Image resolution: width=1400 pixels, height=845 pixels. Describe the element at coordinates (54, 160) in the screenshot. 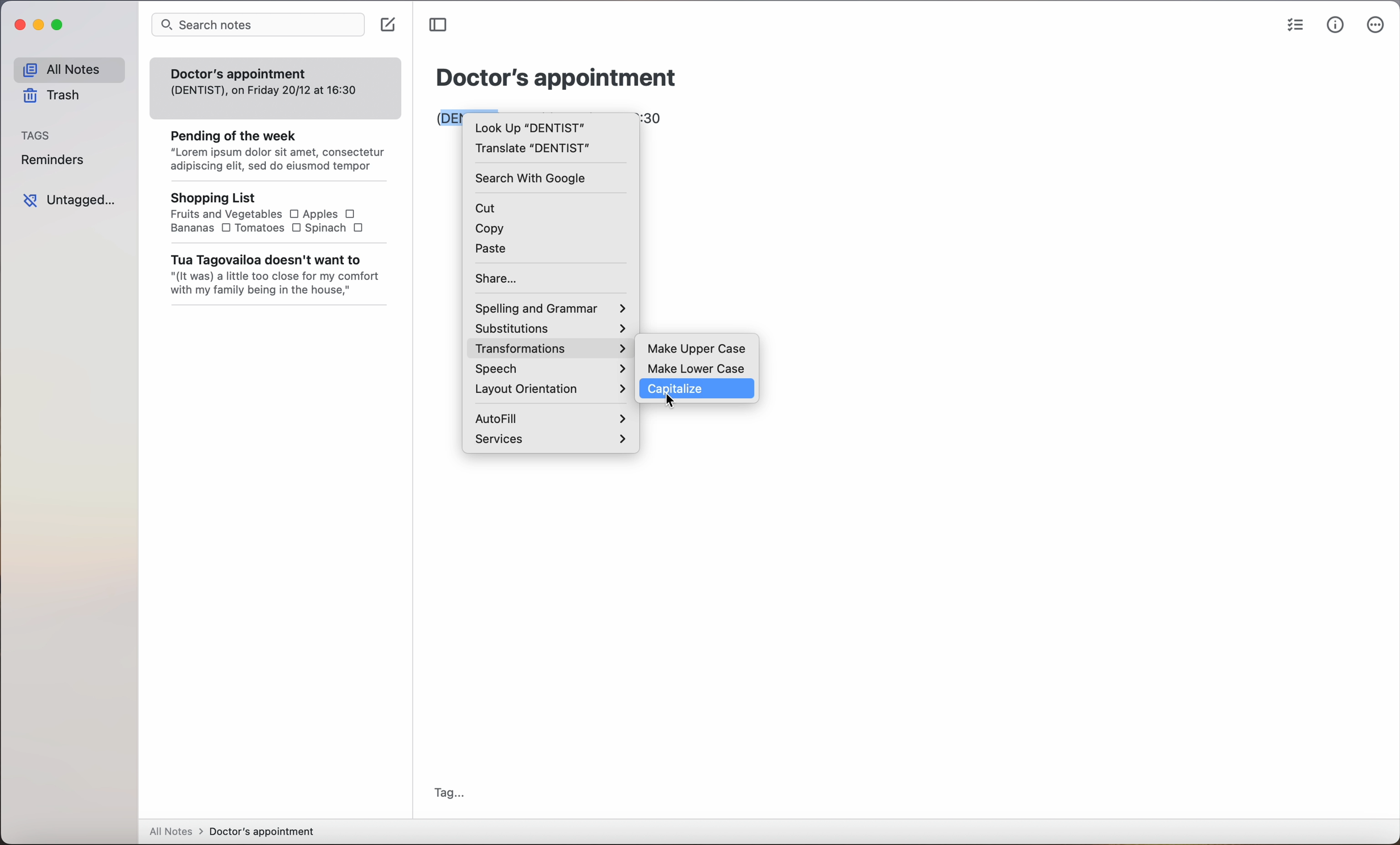

I see `reminders` at that location.